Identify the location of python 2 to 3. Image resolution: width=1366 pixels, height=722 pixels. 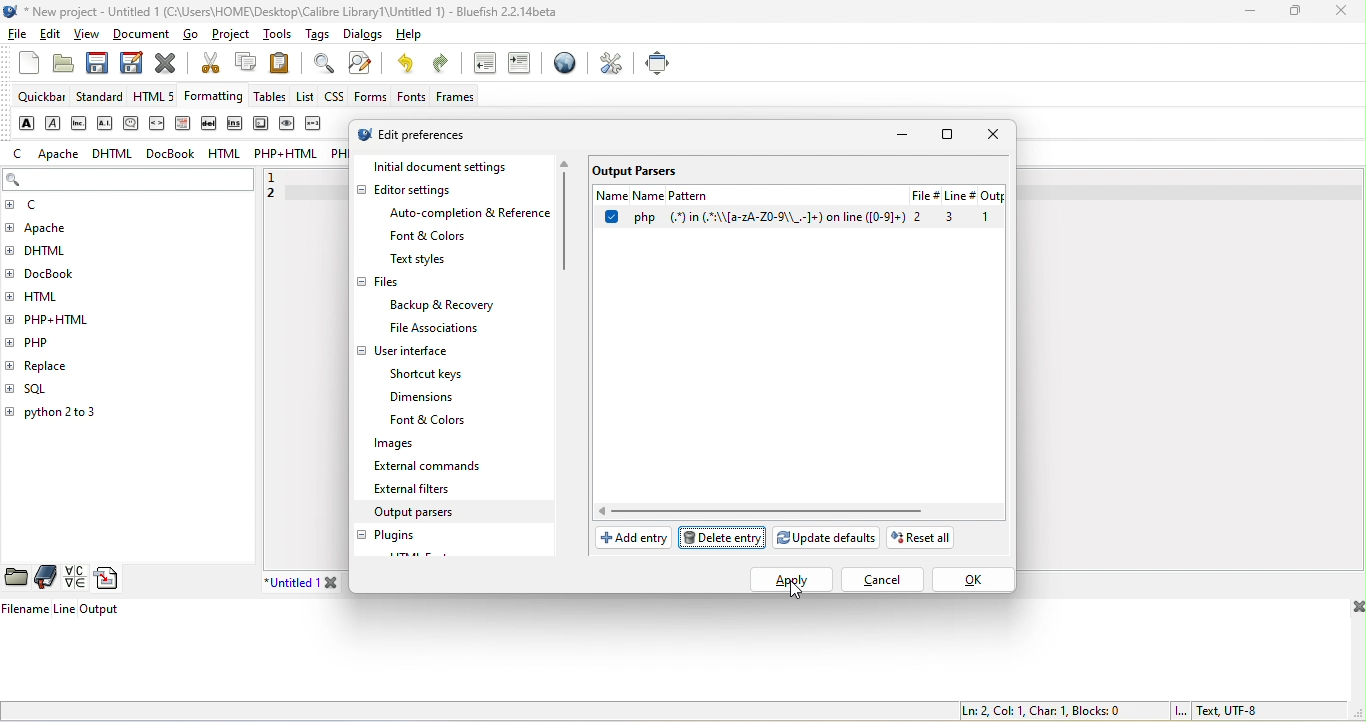
(73, 415).